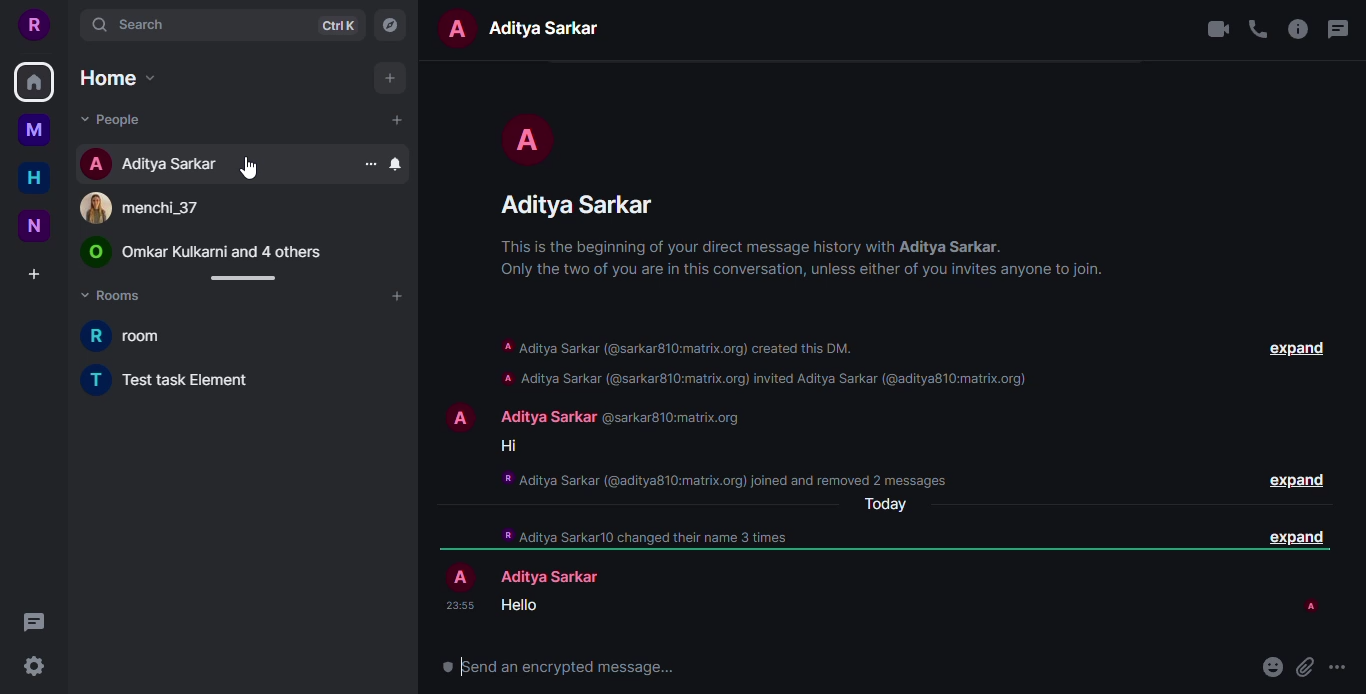 The image size is (1366, 694). I want to click on emoji, so click(1272, 667).